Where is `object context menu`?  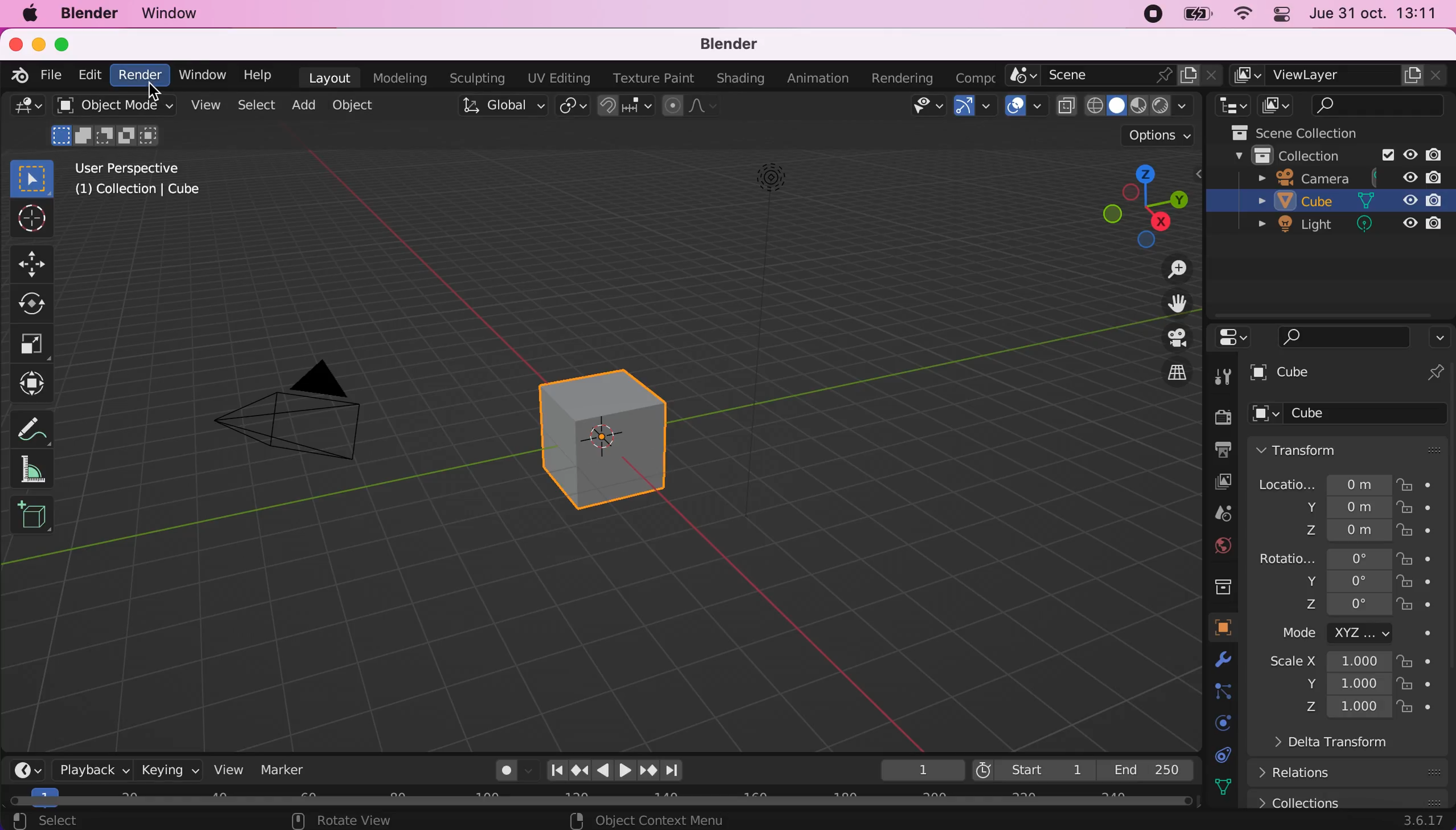 object context menu is located at coordinates (650, 820).